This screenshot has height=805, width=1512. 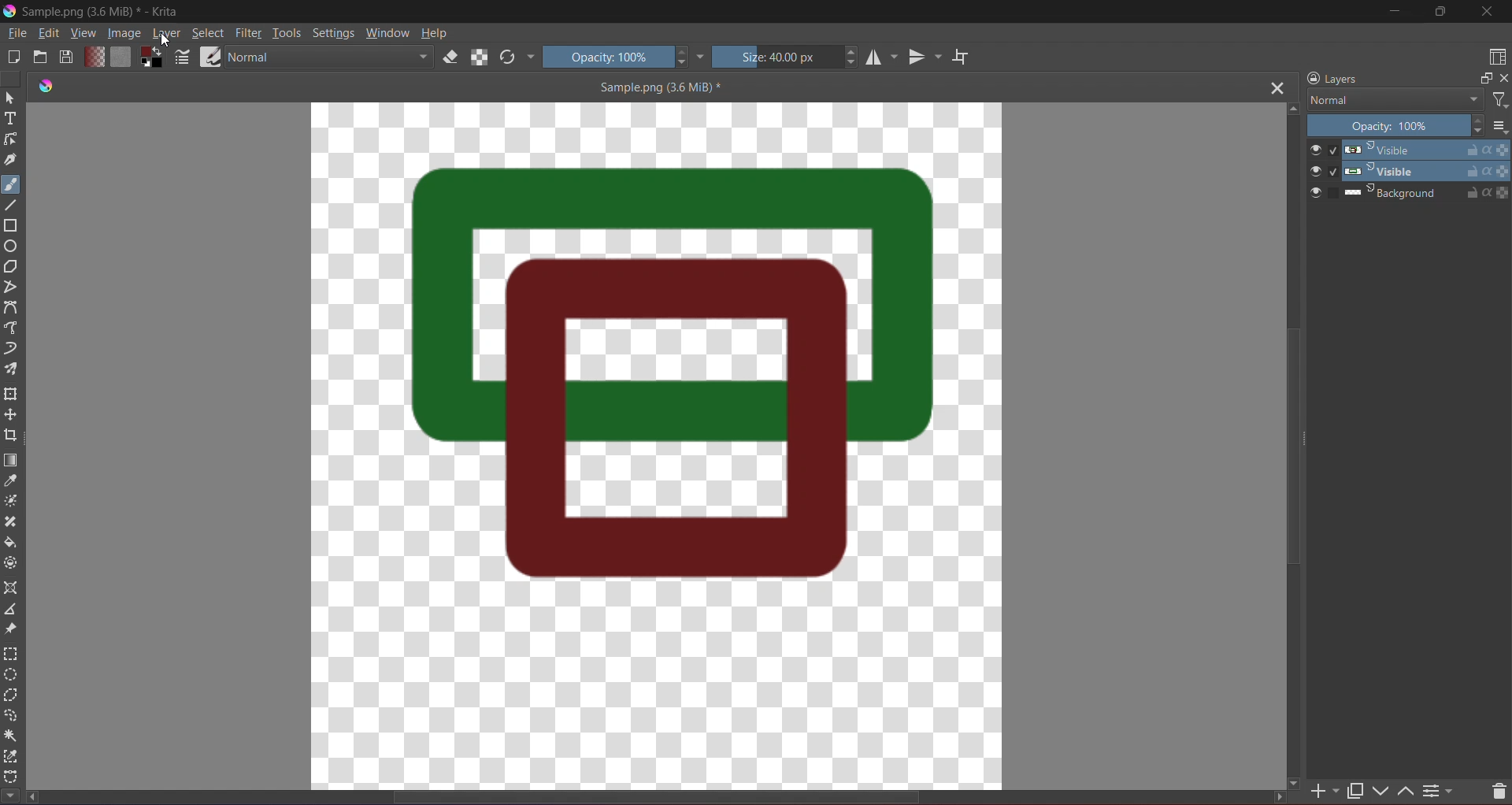 I want to click on Eraser, so click(x=452, y=58).